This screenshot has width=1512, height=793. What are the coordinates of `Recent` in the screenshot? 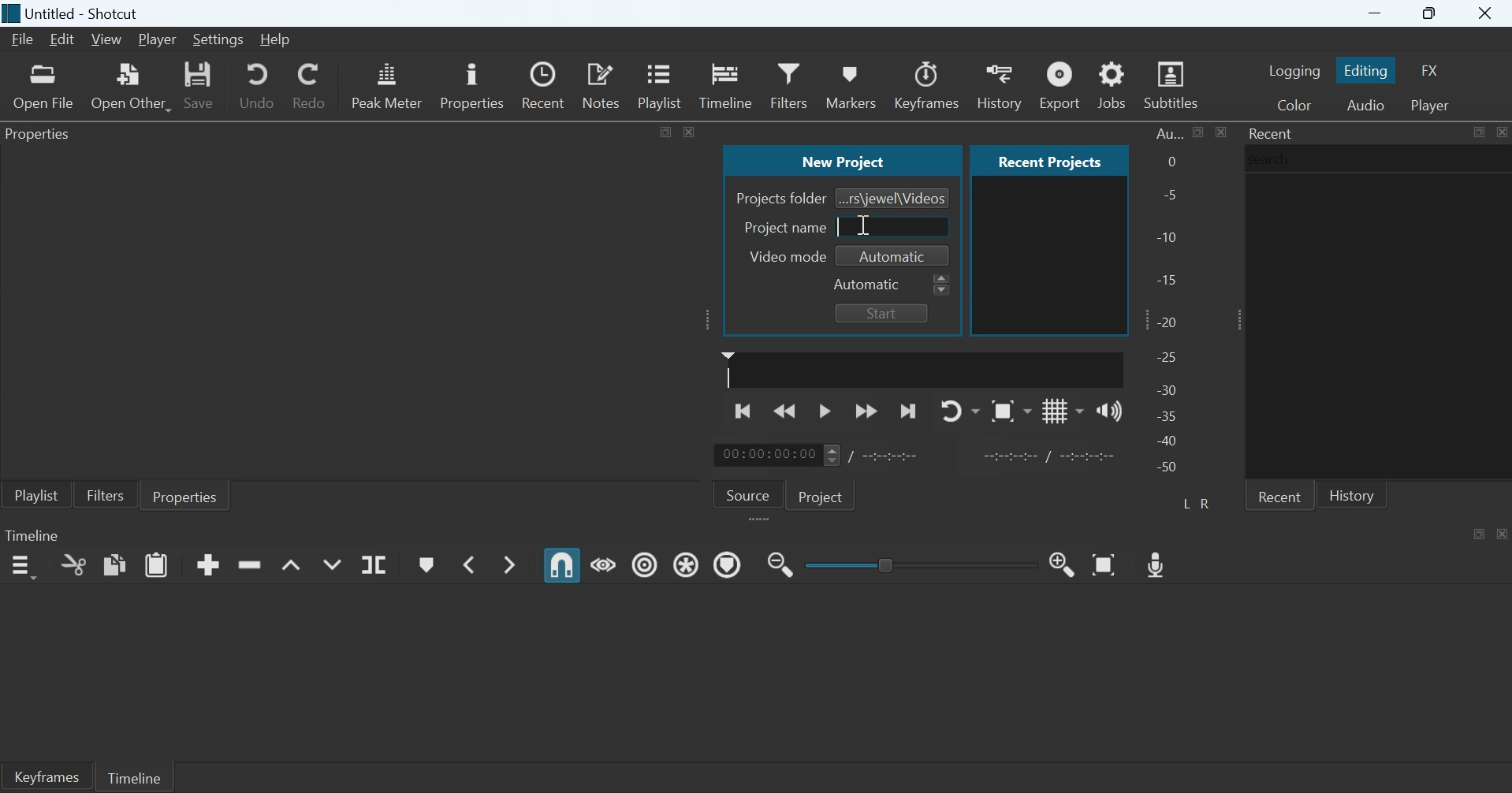 It's located at (546, 85).